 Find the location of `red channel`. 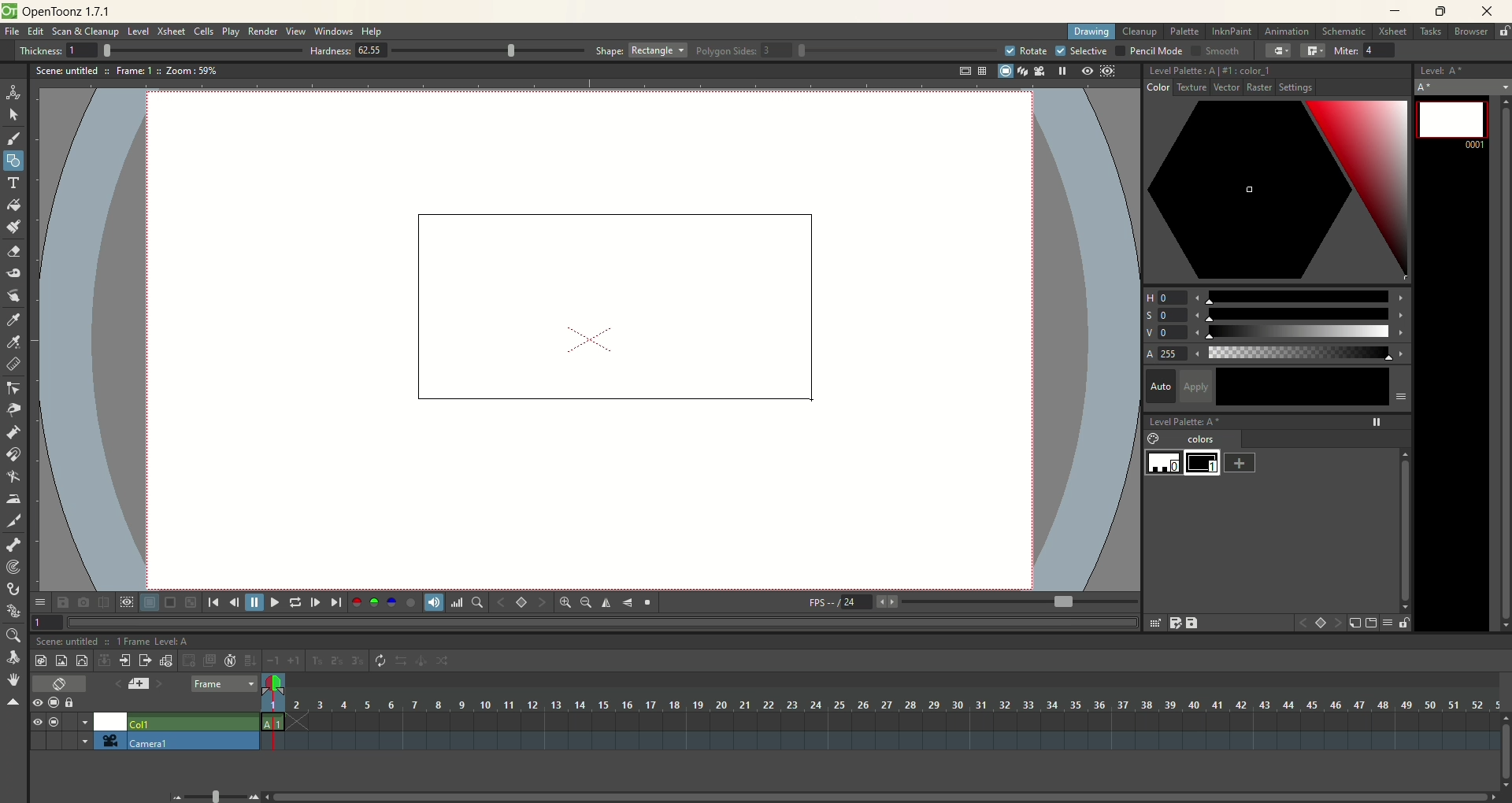

red channel is located at coordinates (357, 601).